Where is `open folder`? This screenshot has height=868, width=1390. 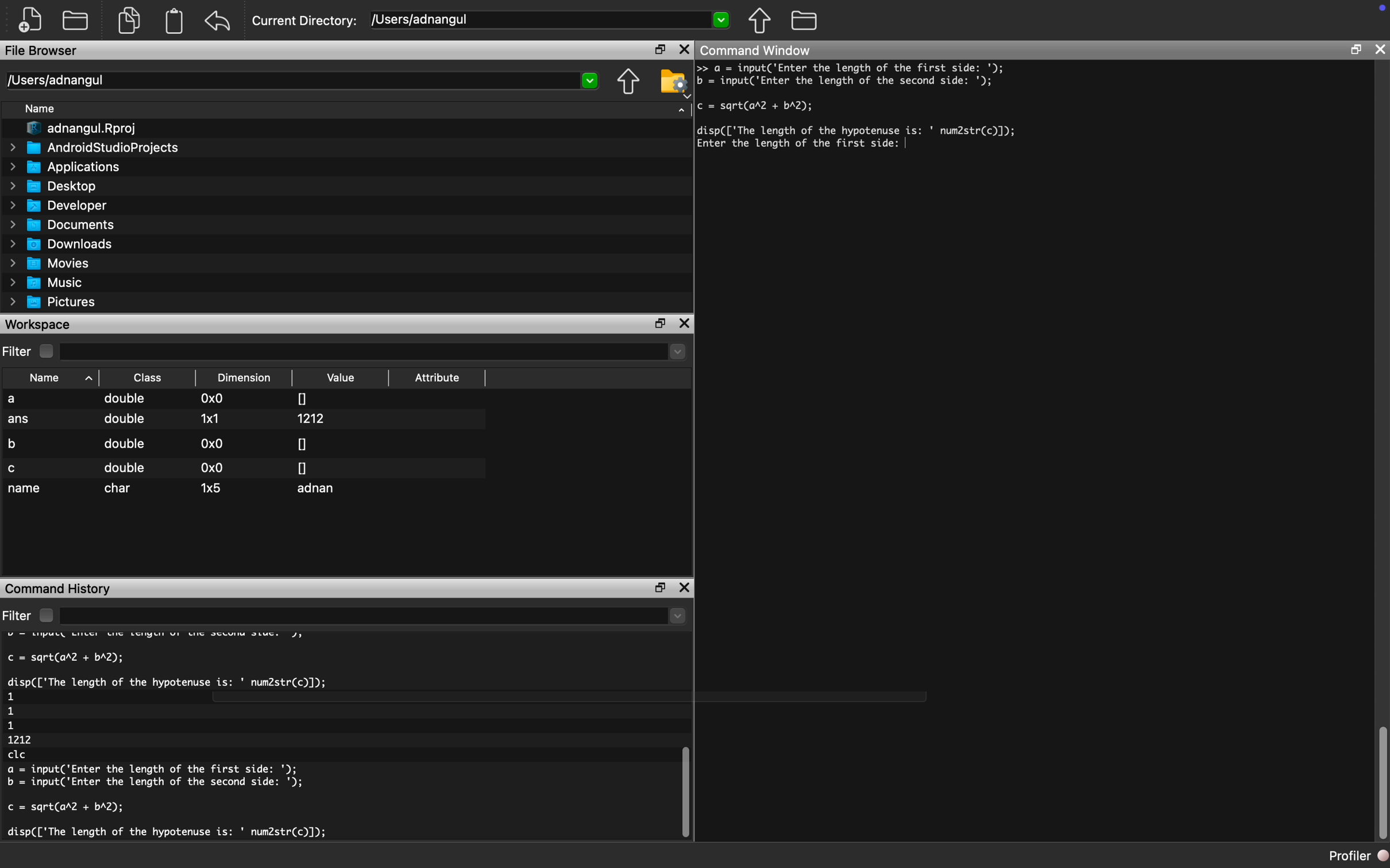
open folder is located at coordinates (77, 19).